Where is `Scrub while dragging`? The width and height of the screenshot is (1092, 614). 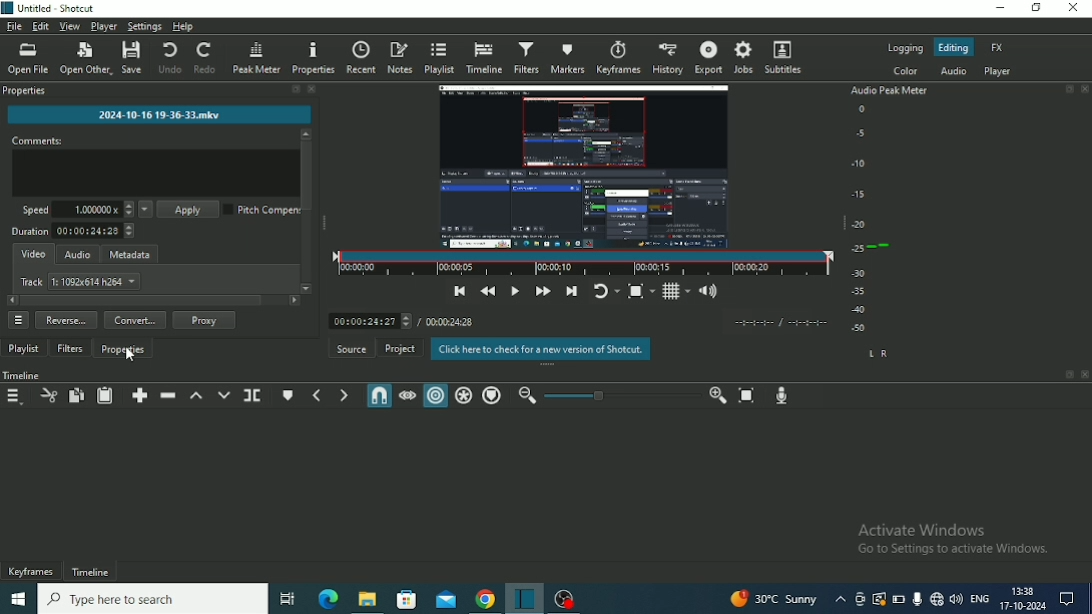
Scrub while dragging is located at coordinates (407, 396).